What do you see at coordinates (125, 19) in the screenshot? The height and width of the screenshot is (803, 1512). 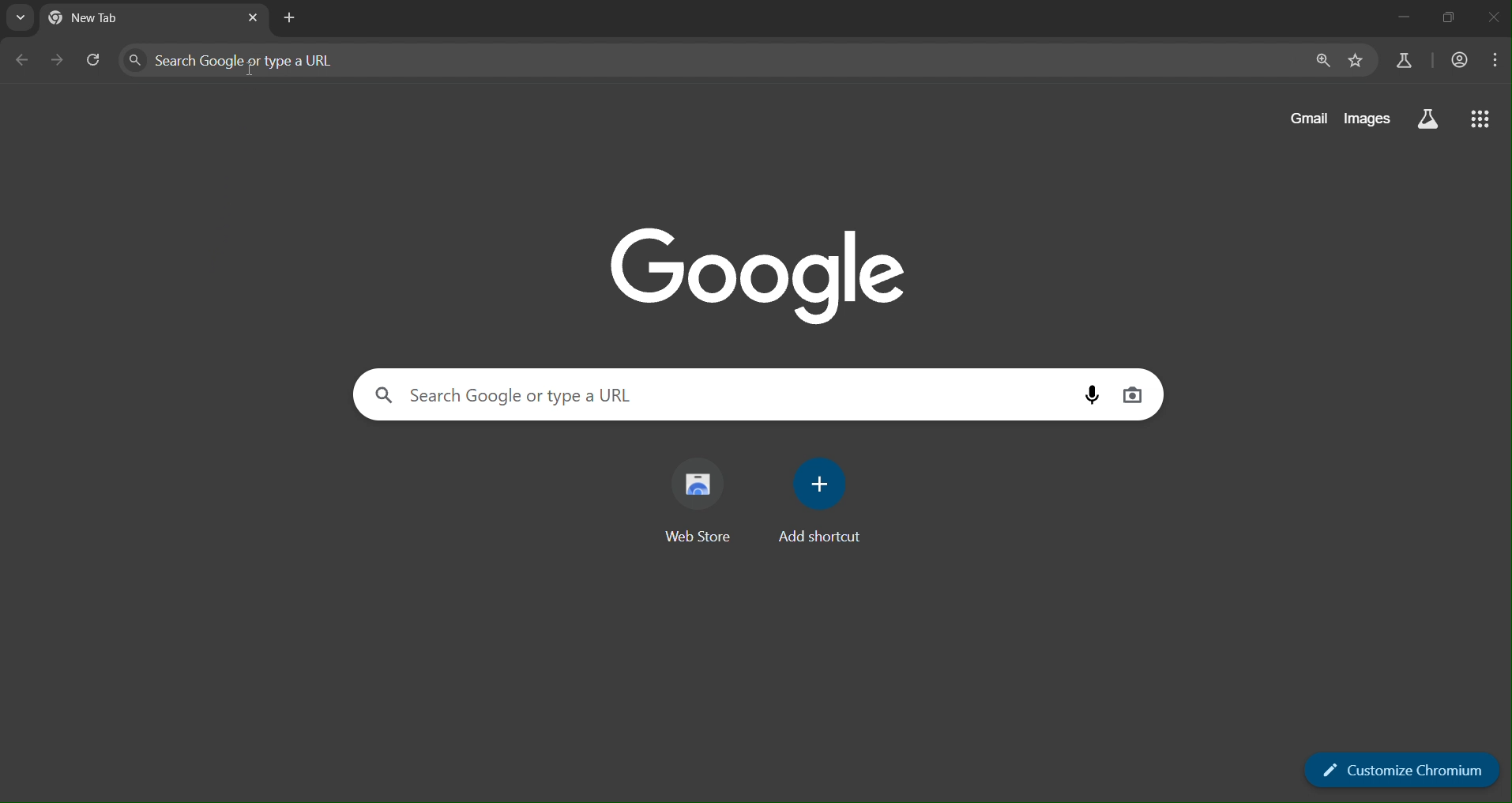 I see `new tab` at bounding box center [125, 19].